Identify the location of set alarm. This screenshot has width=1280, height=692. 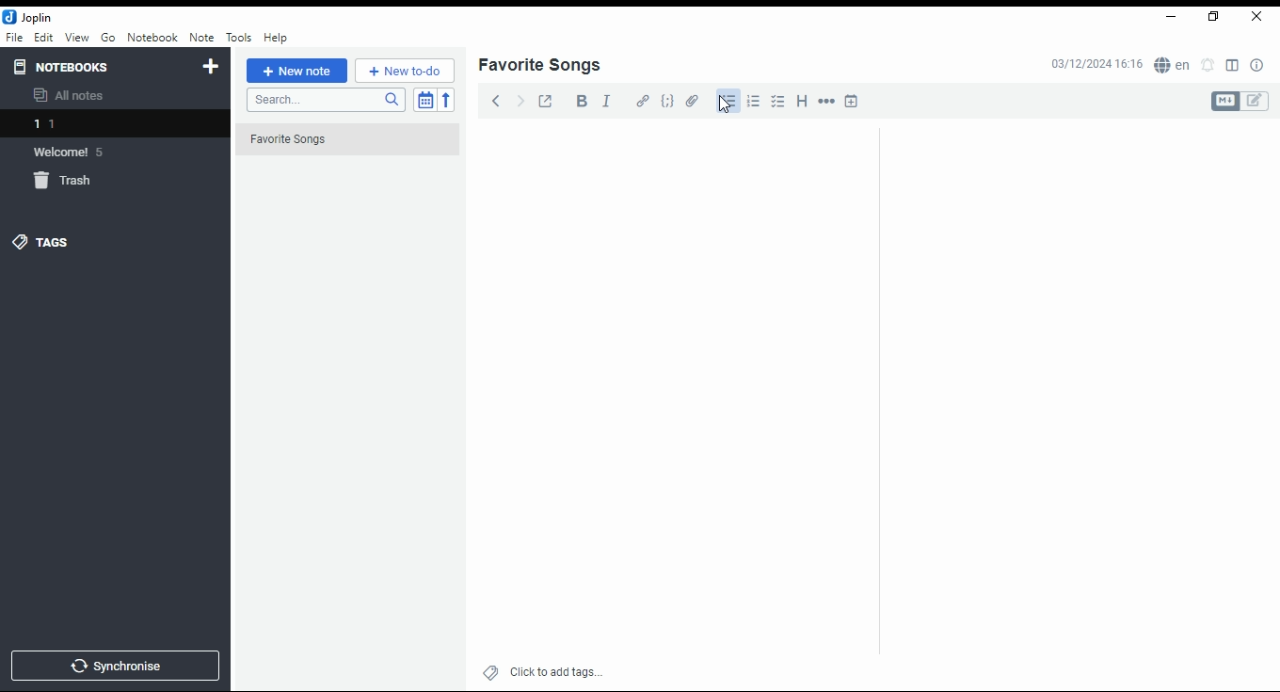
(1209, 65).